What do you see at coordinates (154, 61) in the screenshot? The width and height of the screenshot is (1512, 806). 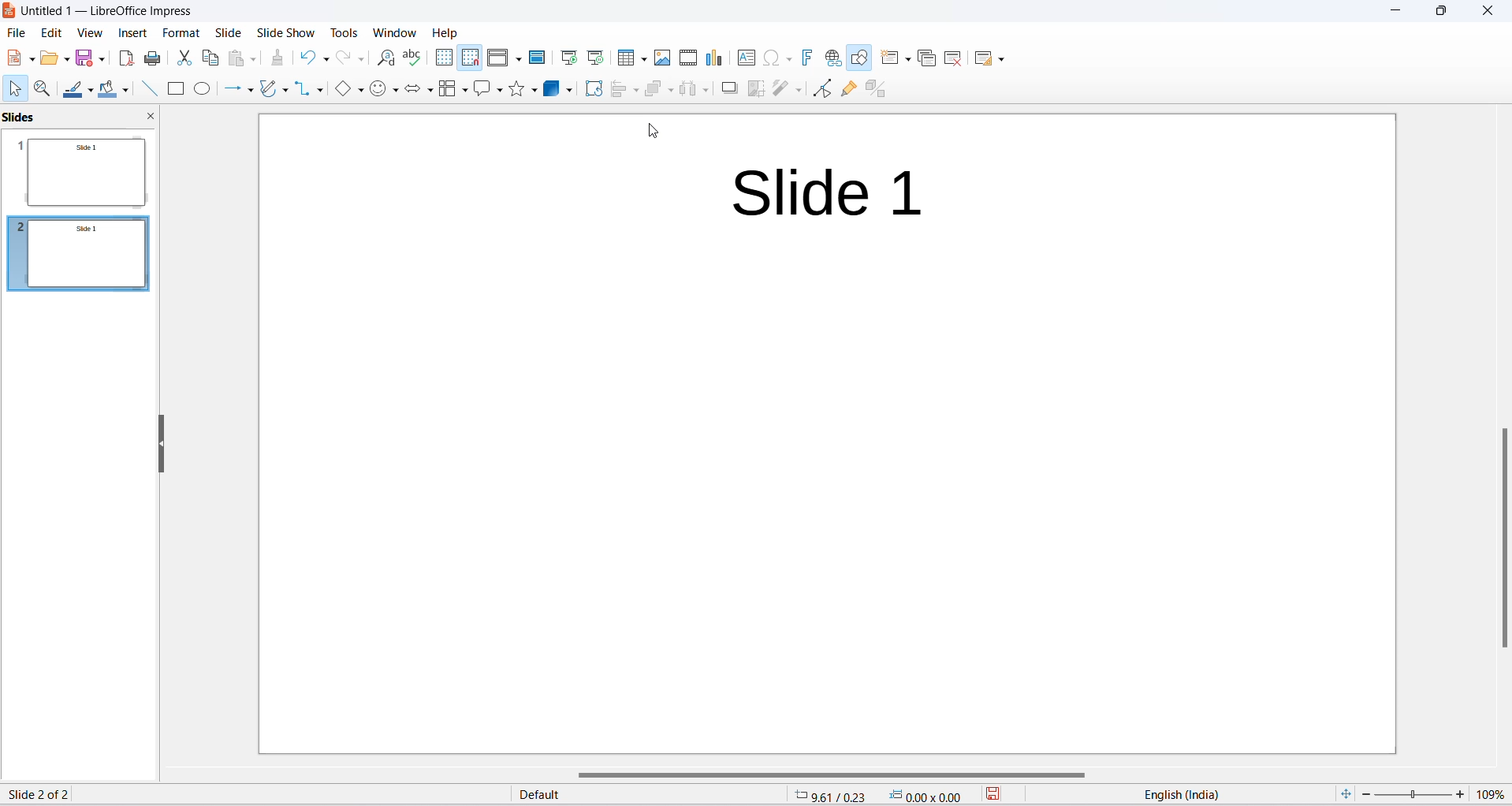 I see `print` at bounding box center [154, 61].